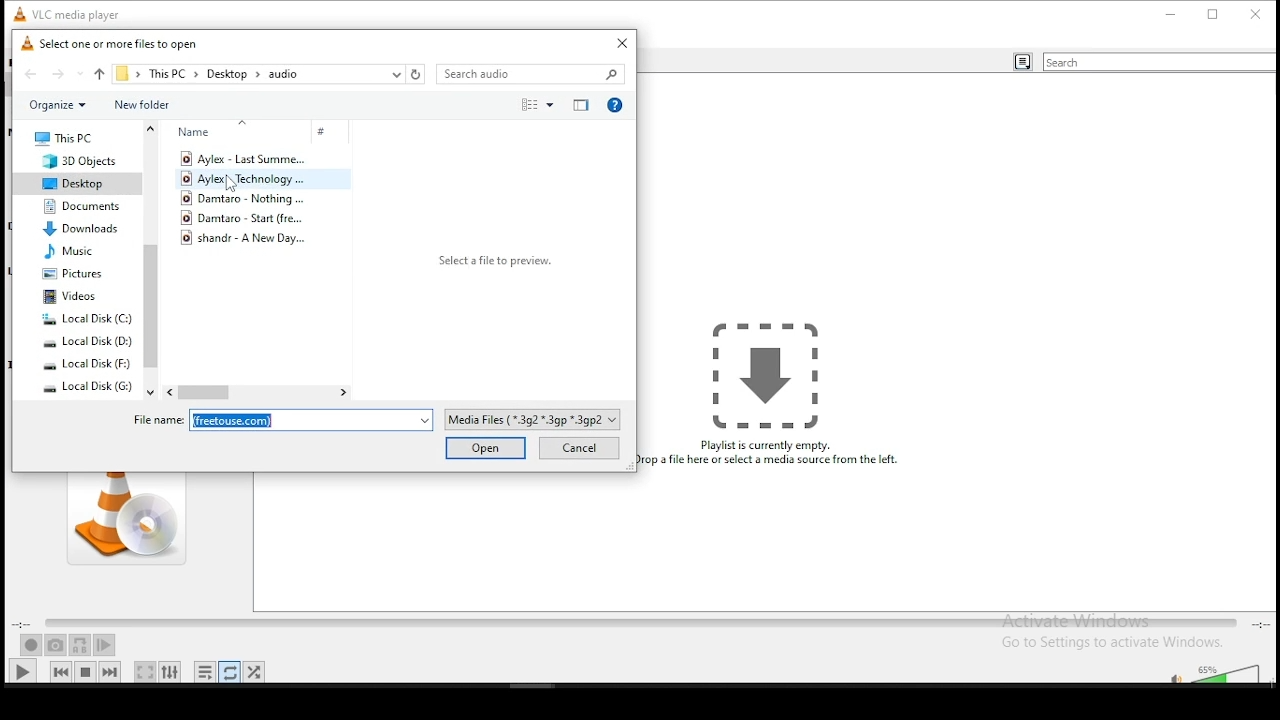 The image size is (1280, 720). Describe the element at coordinates (88, 342) in the screenshot. I see `local disk (D:)` at that location.